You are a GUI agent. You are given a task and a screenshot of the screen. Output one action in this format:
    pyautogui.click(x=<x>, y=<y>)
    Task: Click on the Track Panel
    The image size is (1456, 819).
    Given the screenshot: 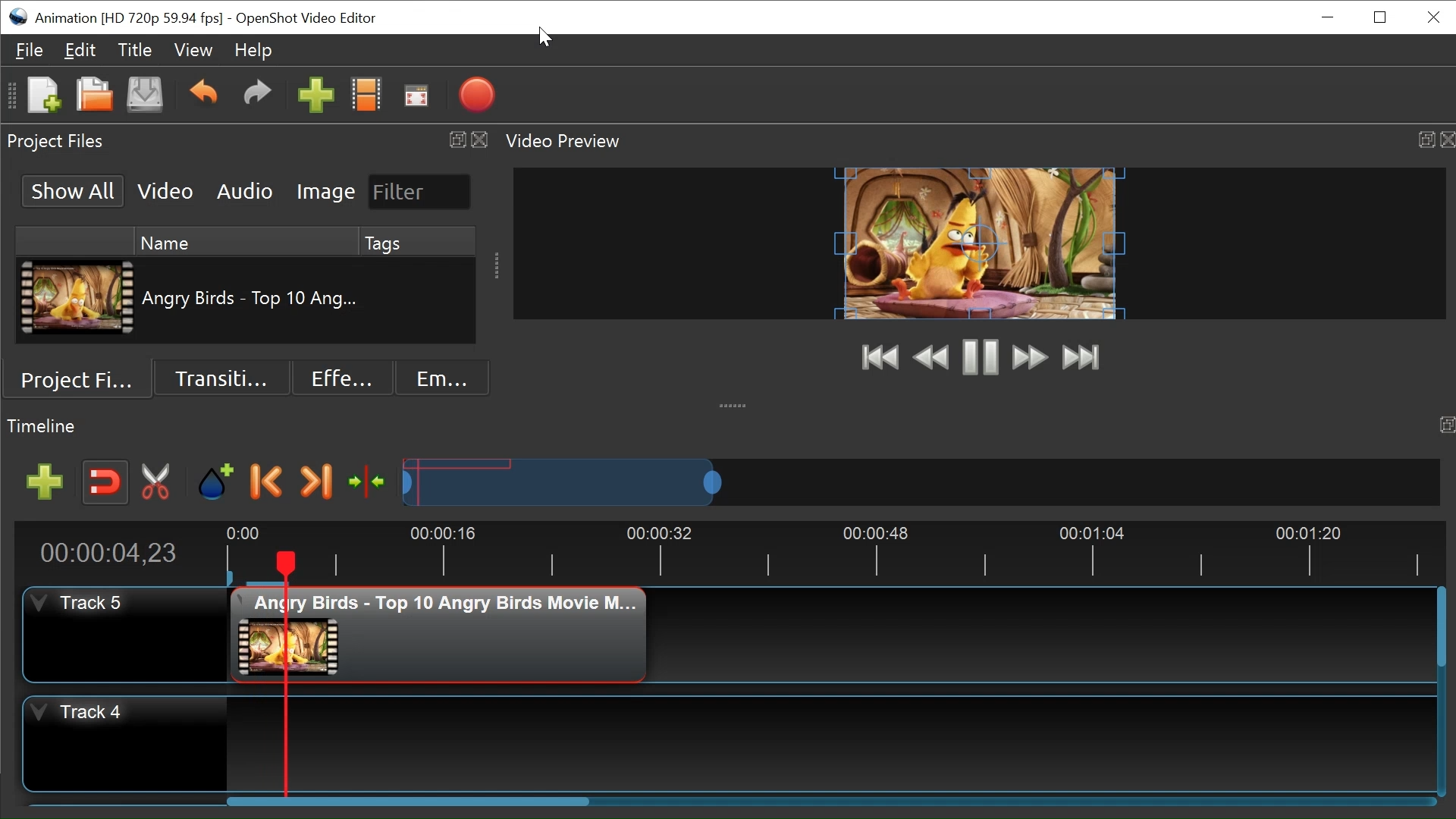 What is the action you would take?
    pyautogui.click(x=831, y=745)
    